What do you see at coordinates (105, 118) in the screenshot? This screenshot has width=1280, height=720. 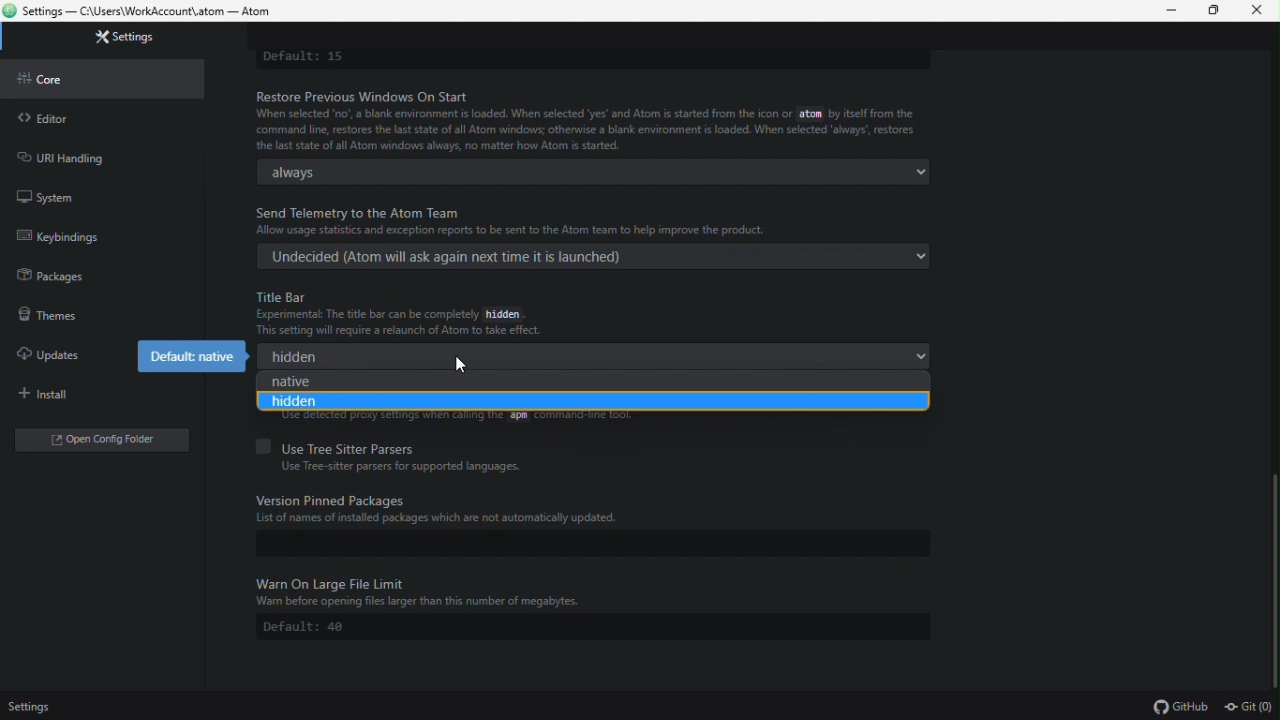 I see `Editor` at bounding box center [105, 118].